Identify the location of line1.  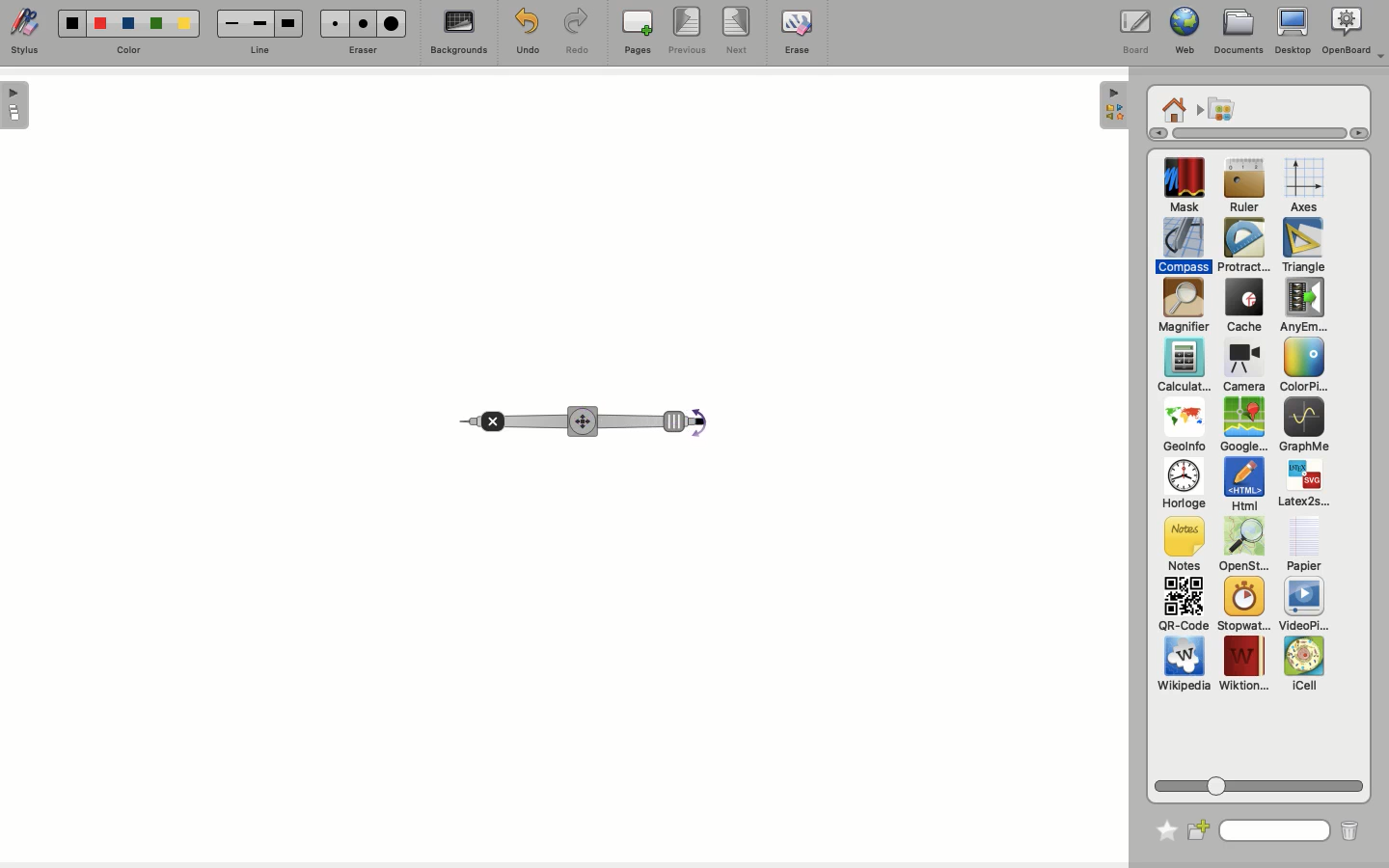
(231, 22).